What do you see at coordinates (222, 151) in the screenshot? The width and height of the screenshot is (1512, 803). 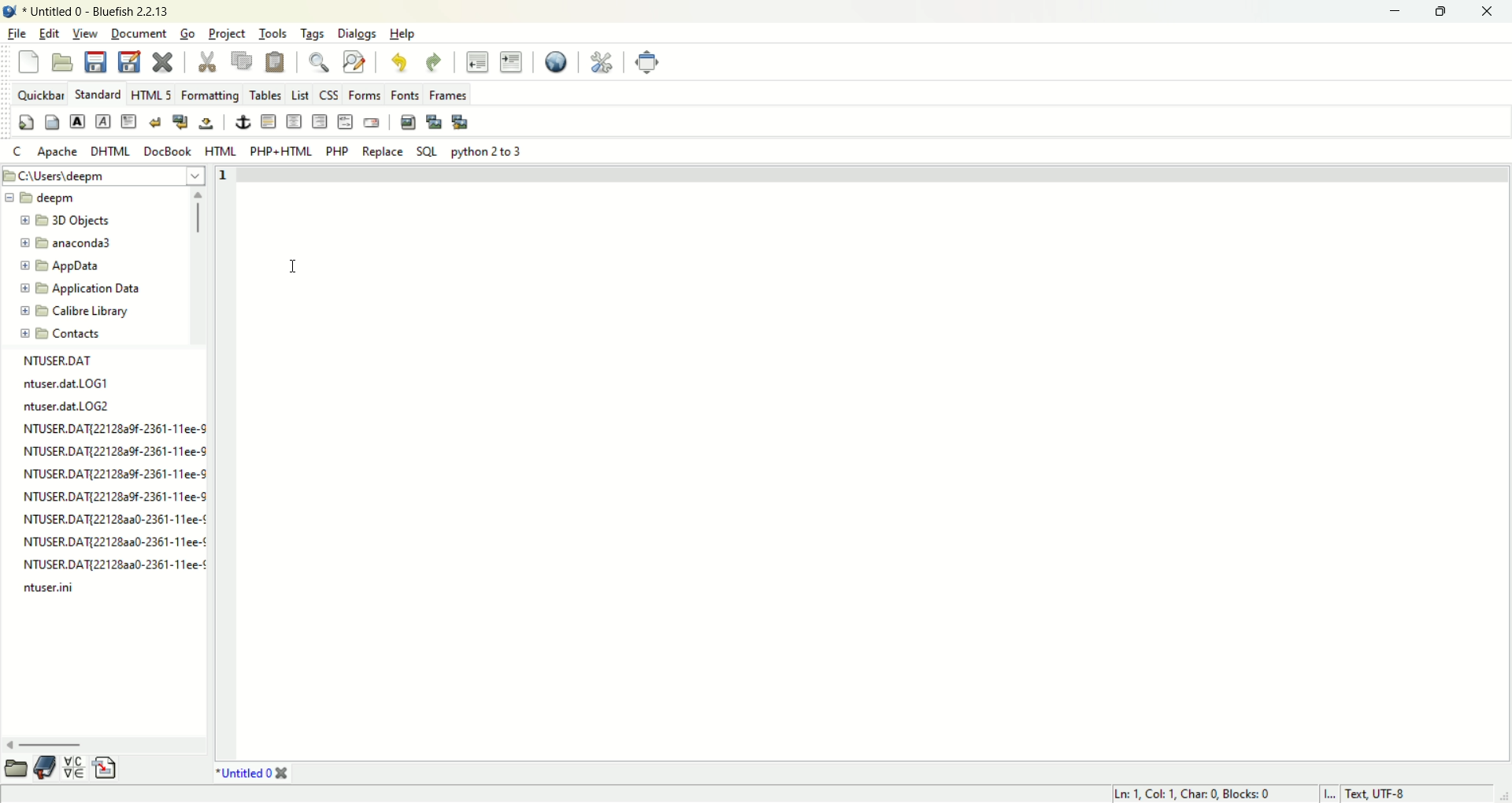 I see `HTML` at bounding box center [222, 151].